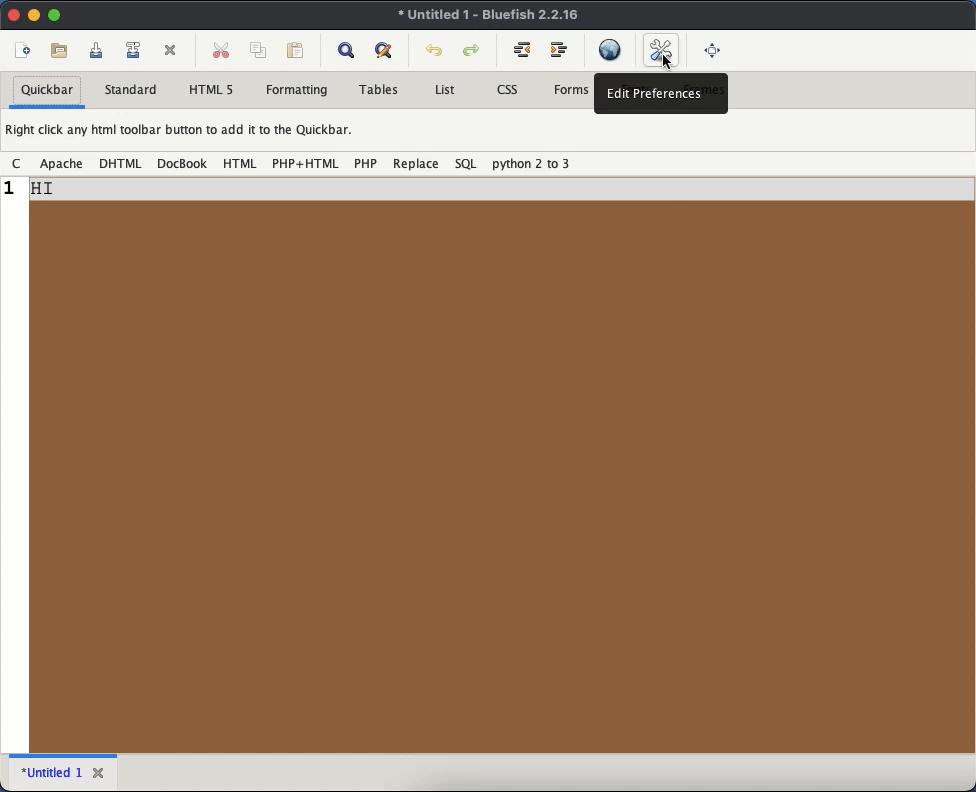 Image resolution: width=976 pixels, height=792 pixels. What do you see at coordinates (435, 50) in the screenshot?
I see `undo` at bounding box center [435, 50].